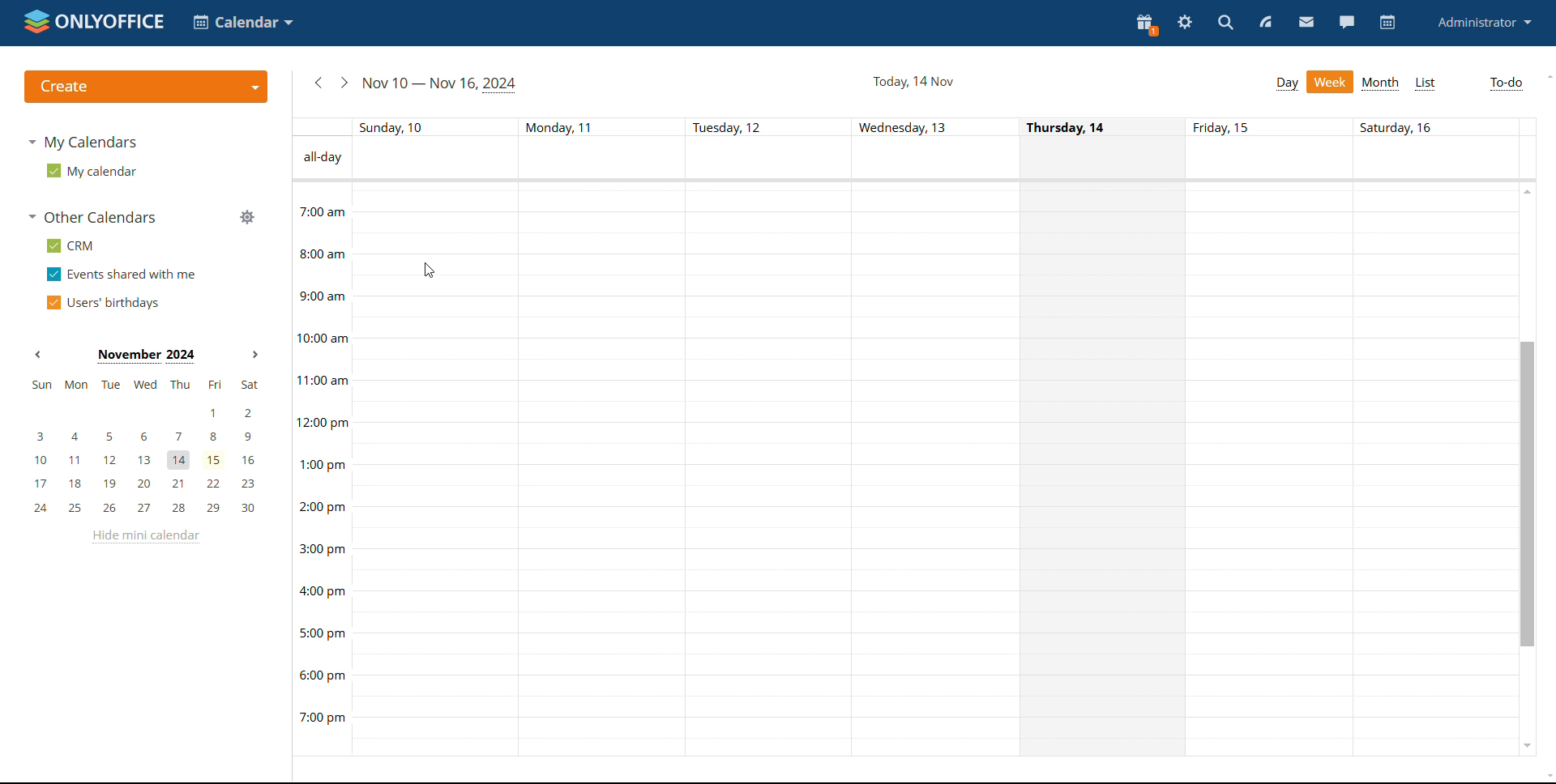  What do you see at coordinates (1426, 84) in the screenshot?
I see `list view` at bounding box center [1426, 84].